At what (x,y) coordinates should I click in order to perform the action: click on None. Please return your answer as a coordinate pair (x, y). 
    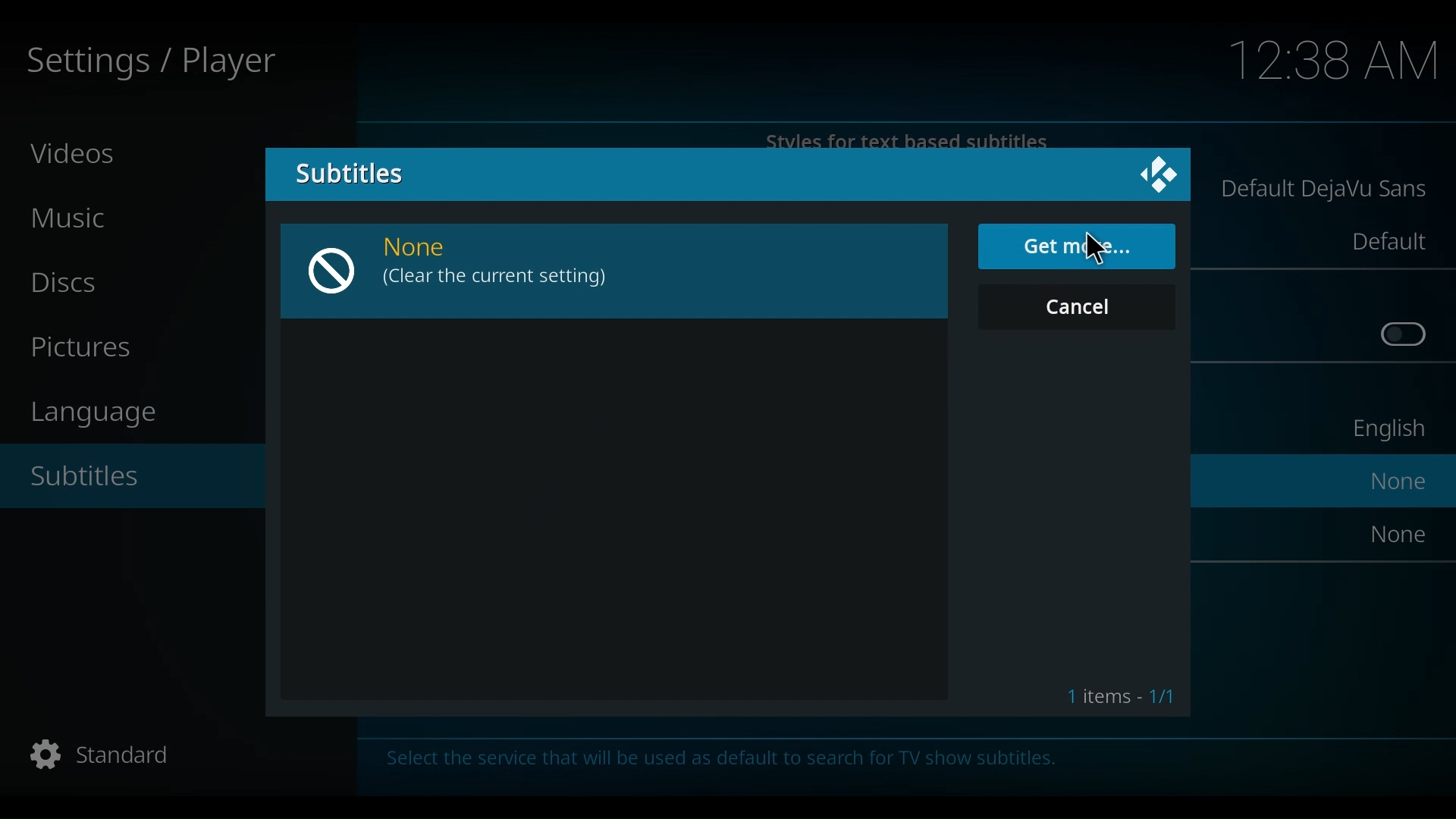
    Looking at the image, I should click on (1400, 533).